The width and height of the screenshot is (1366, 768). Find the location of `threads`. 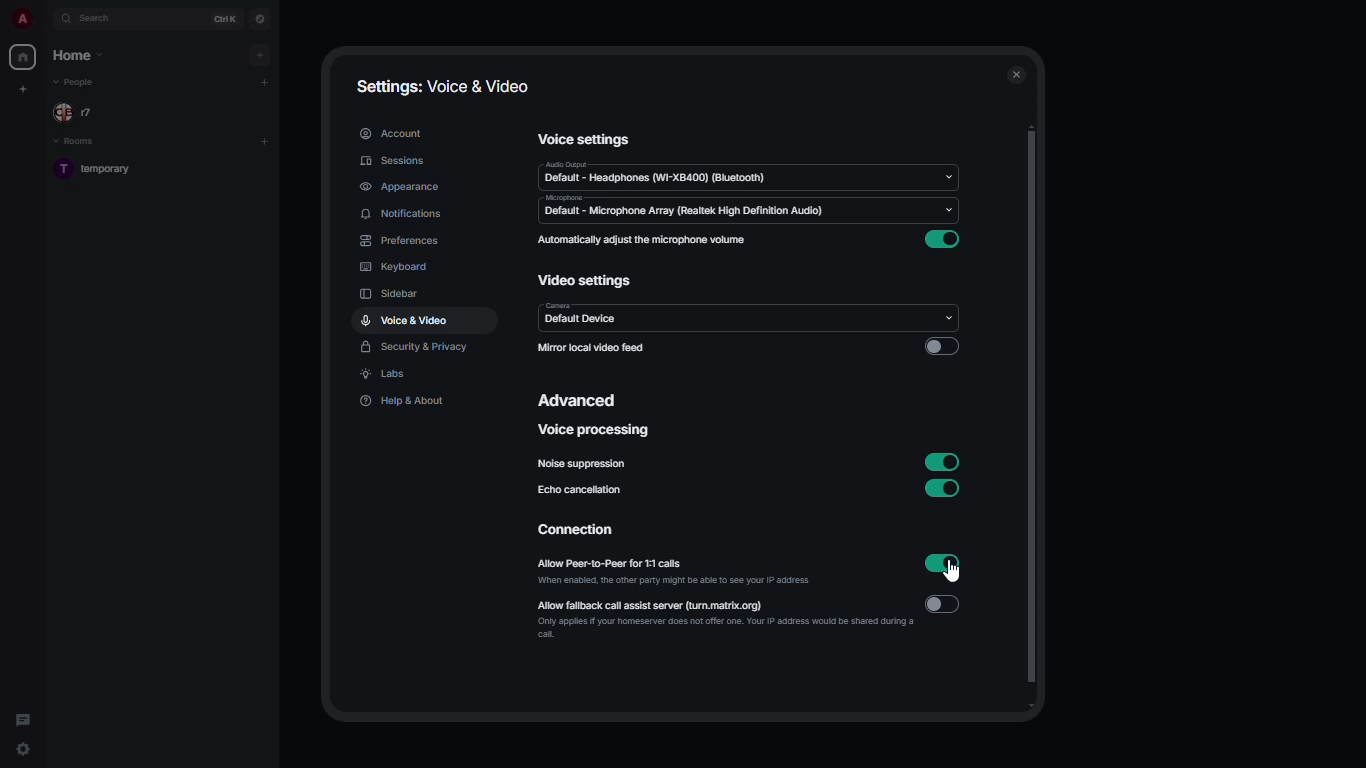

threads is located at coordinates (22, 716).